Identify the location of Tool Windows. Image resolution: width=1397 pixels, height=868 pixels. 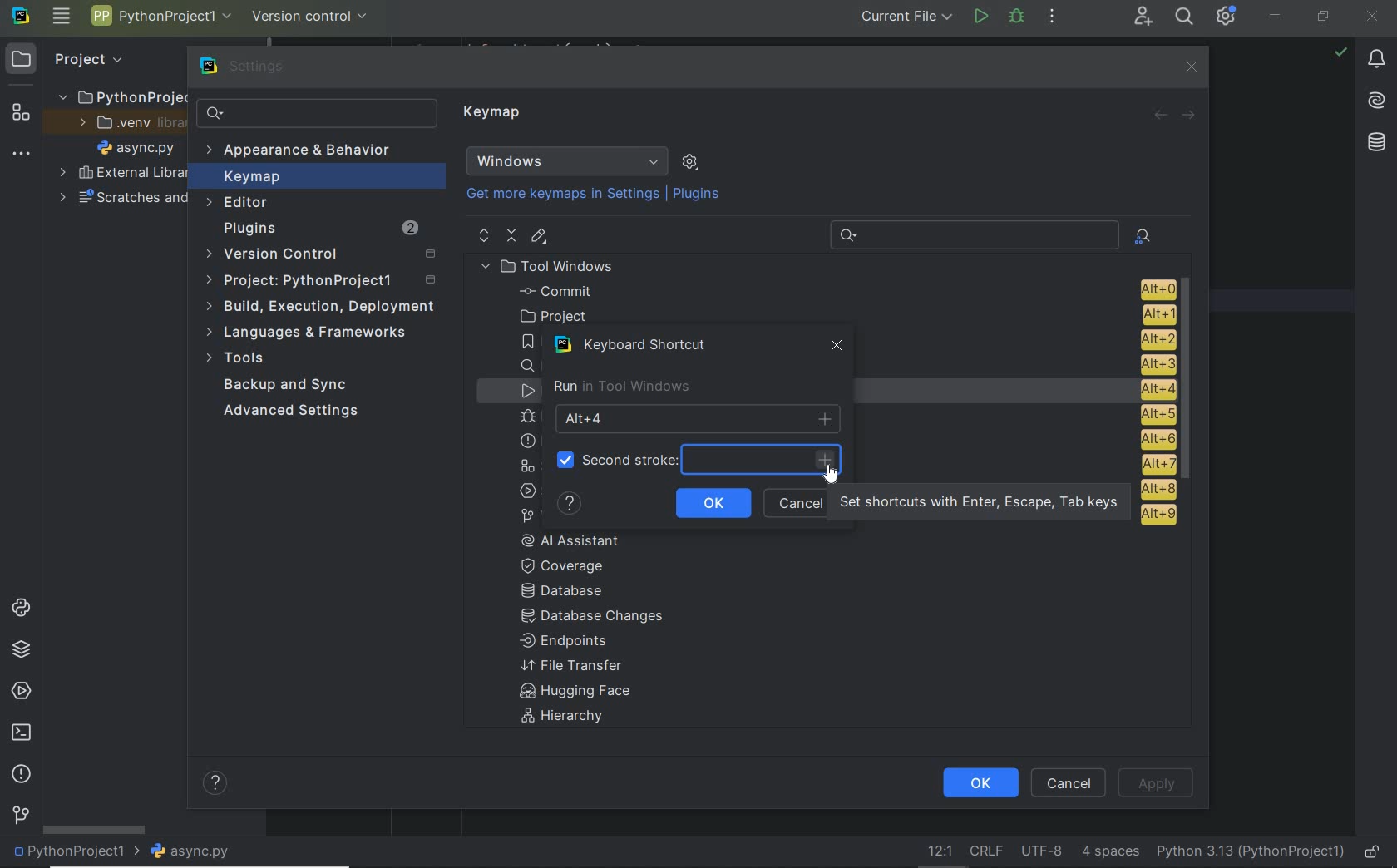
(554, 266).